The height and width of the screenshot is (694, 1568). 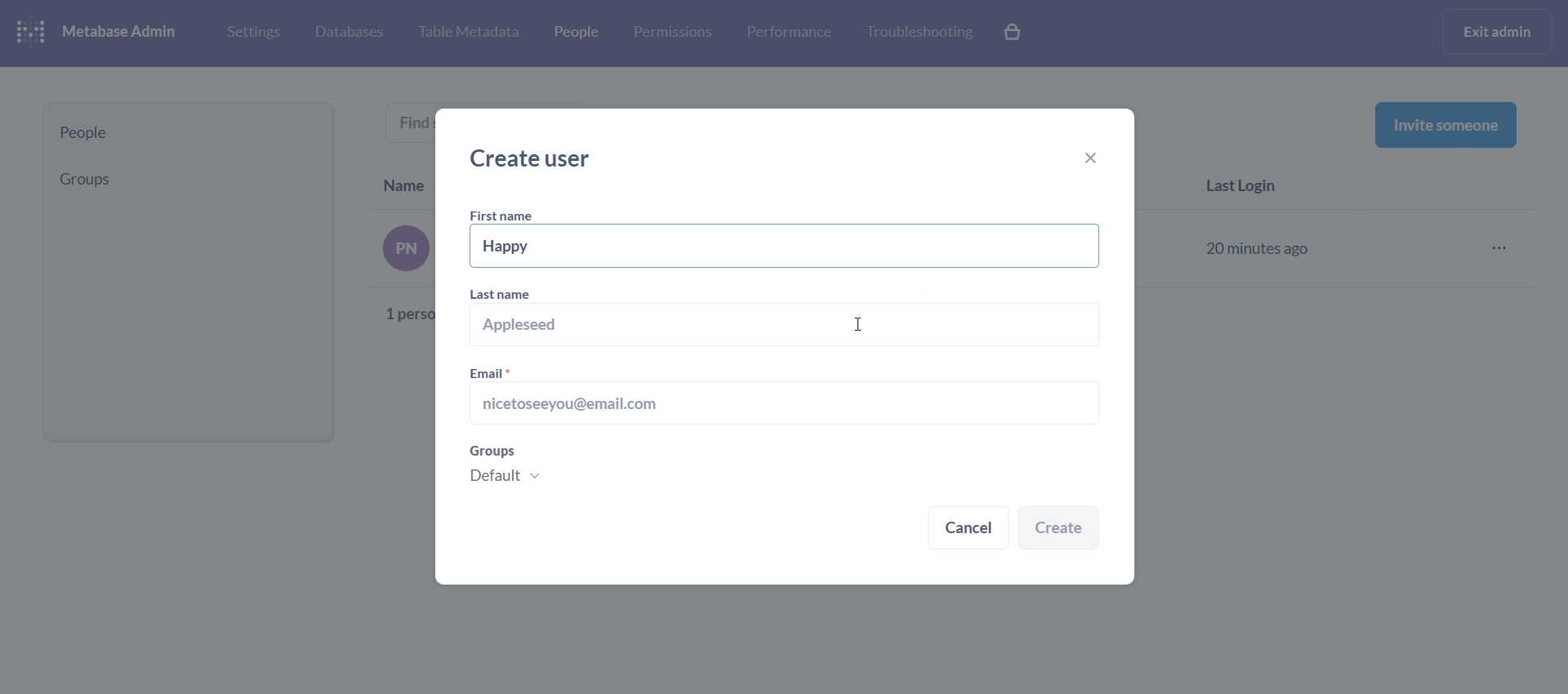 I want to click on 20 minutes ago, so click(x=1261, y=246).